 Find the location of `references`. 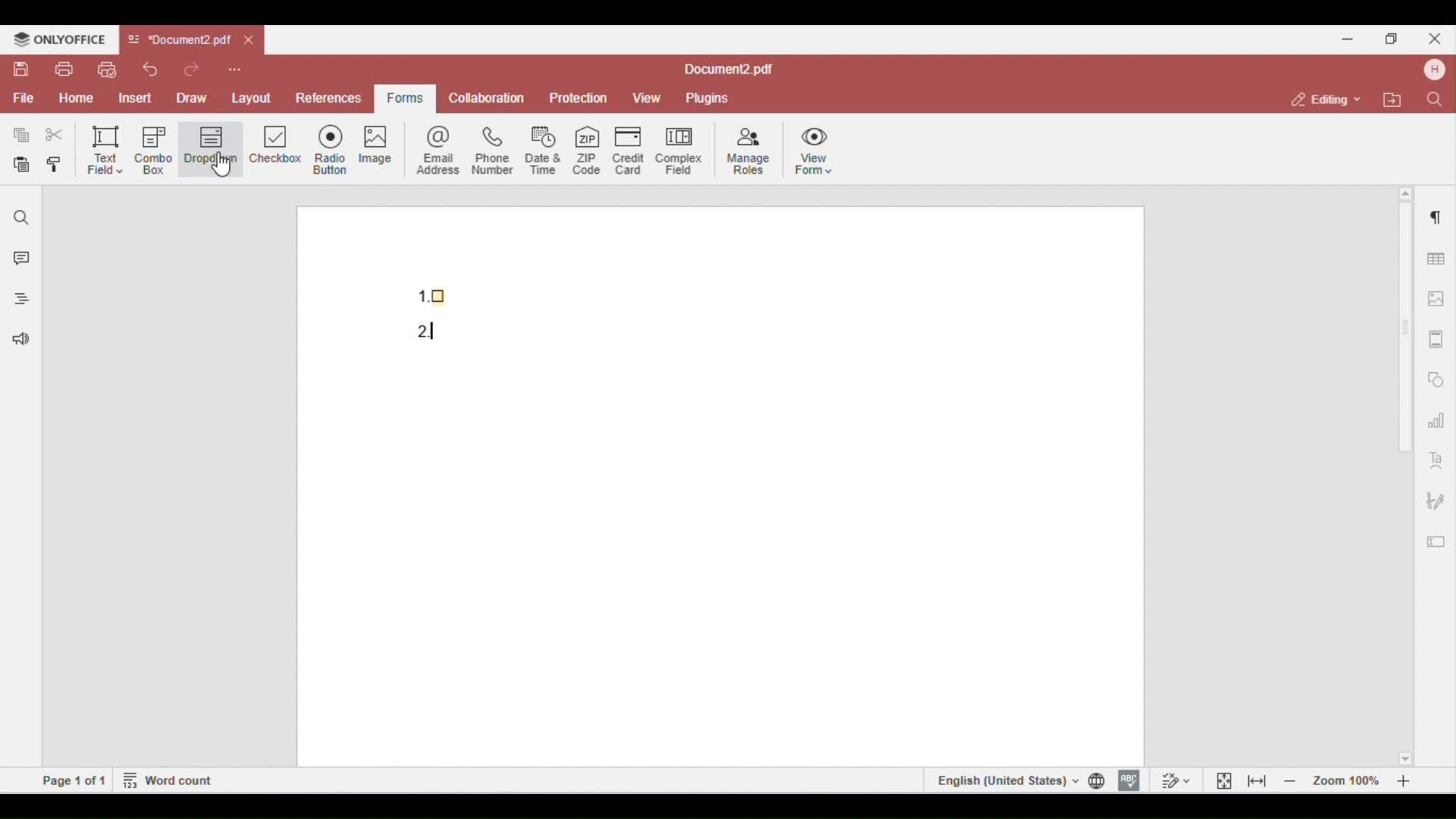

references is located at coordinates (327, 98).